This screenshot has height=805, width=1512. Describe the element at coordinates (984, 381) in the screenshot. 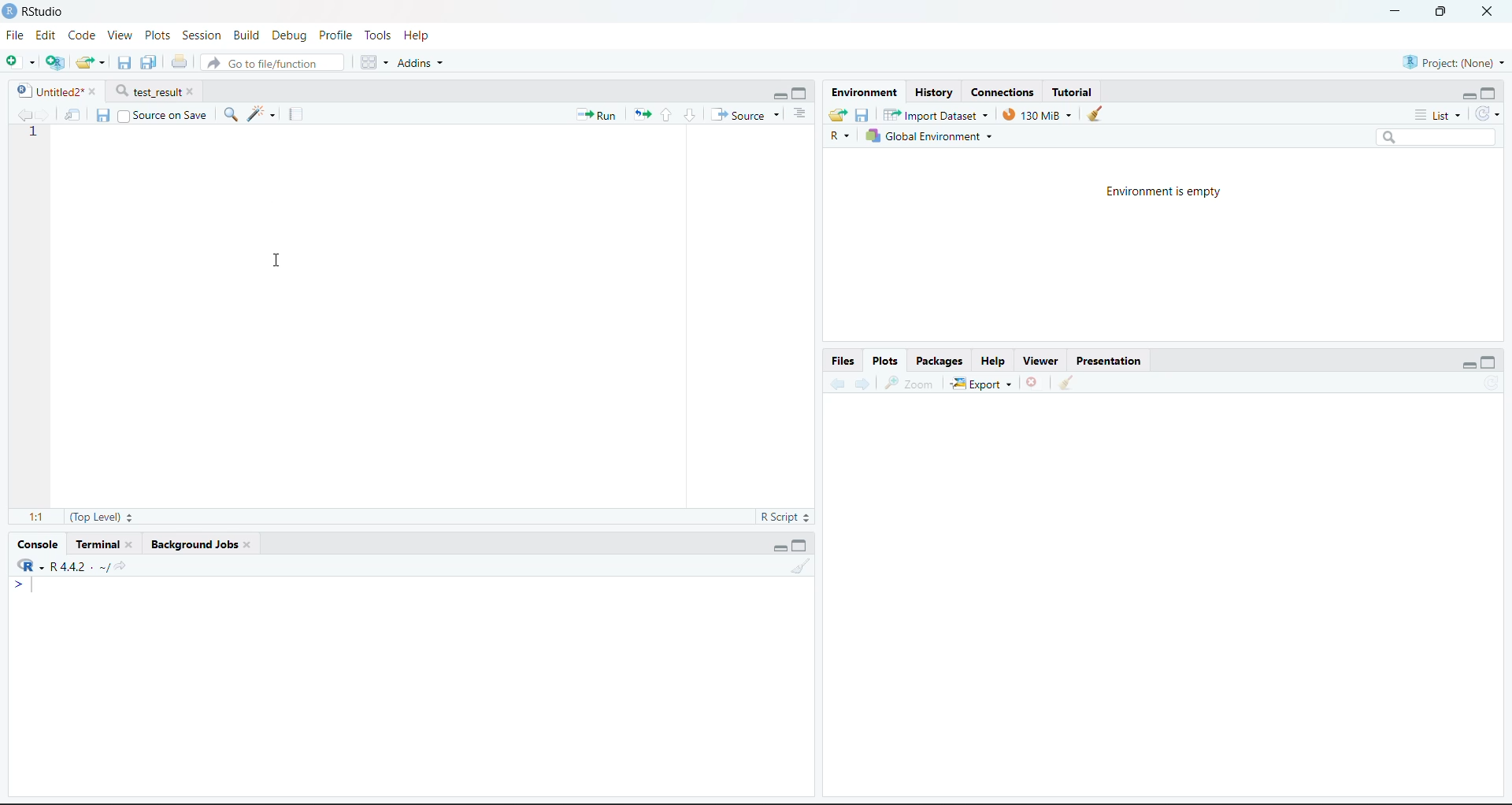

I see `Export` at that location.